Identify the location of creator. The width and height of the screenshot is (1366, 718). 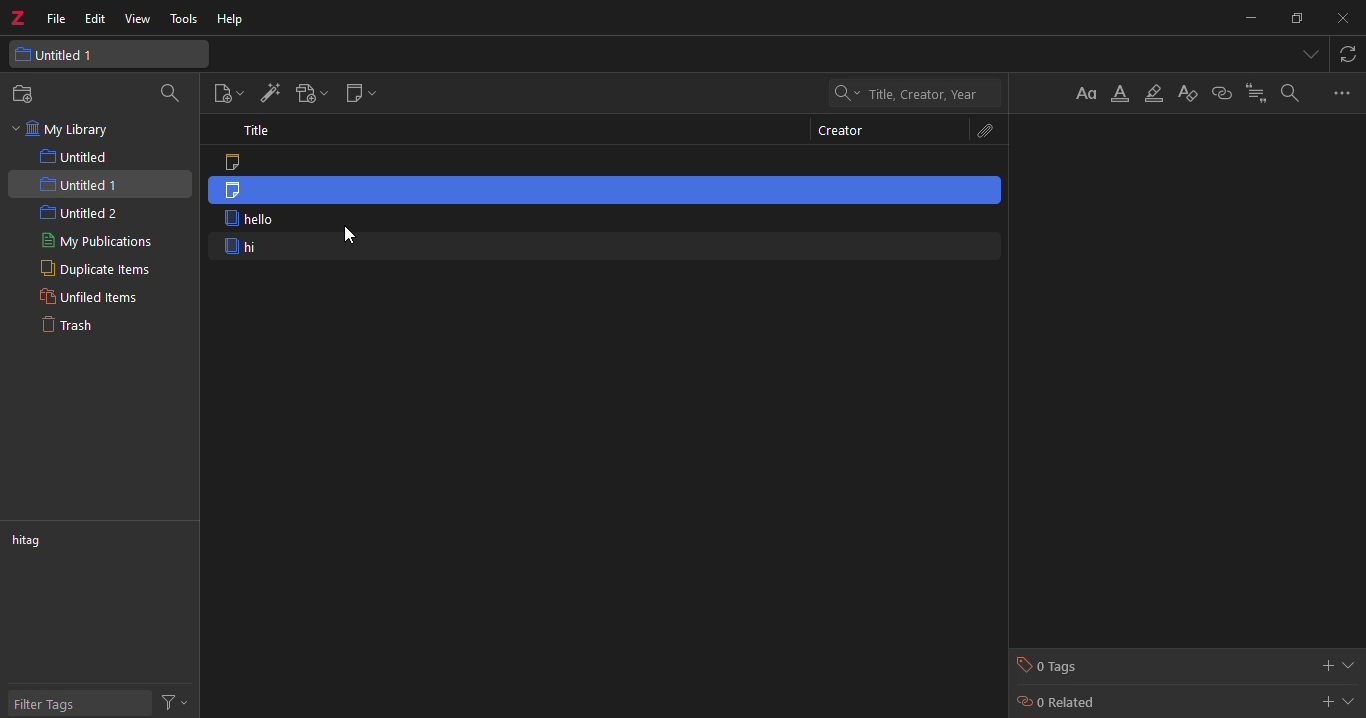
(842, 130).